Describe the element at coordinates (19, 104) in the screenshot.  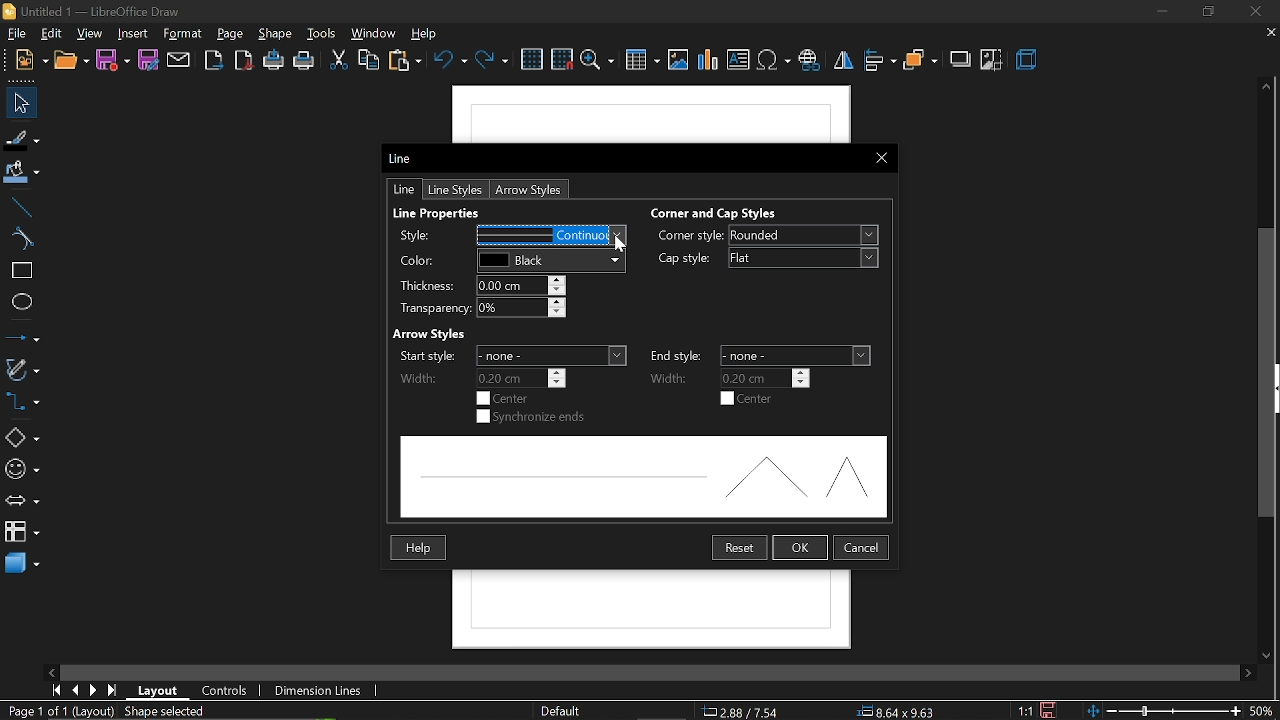
I see `select` at that location.